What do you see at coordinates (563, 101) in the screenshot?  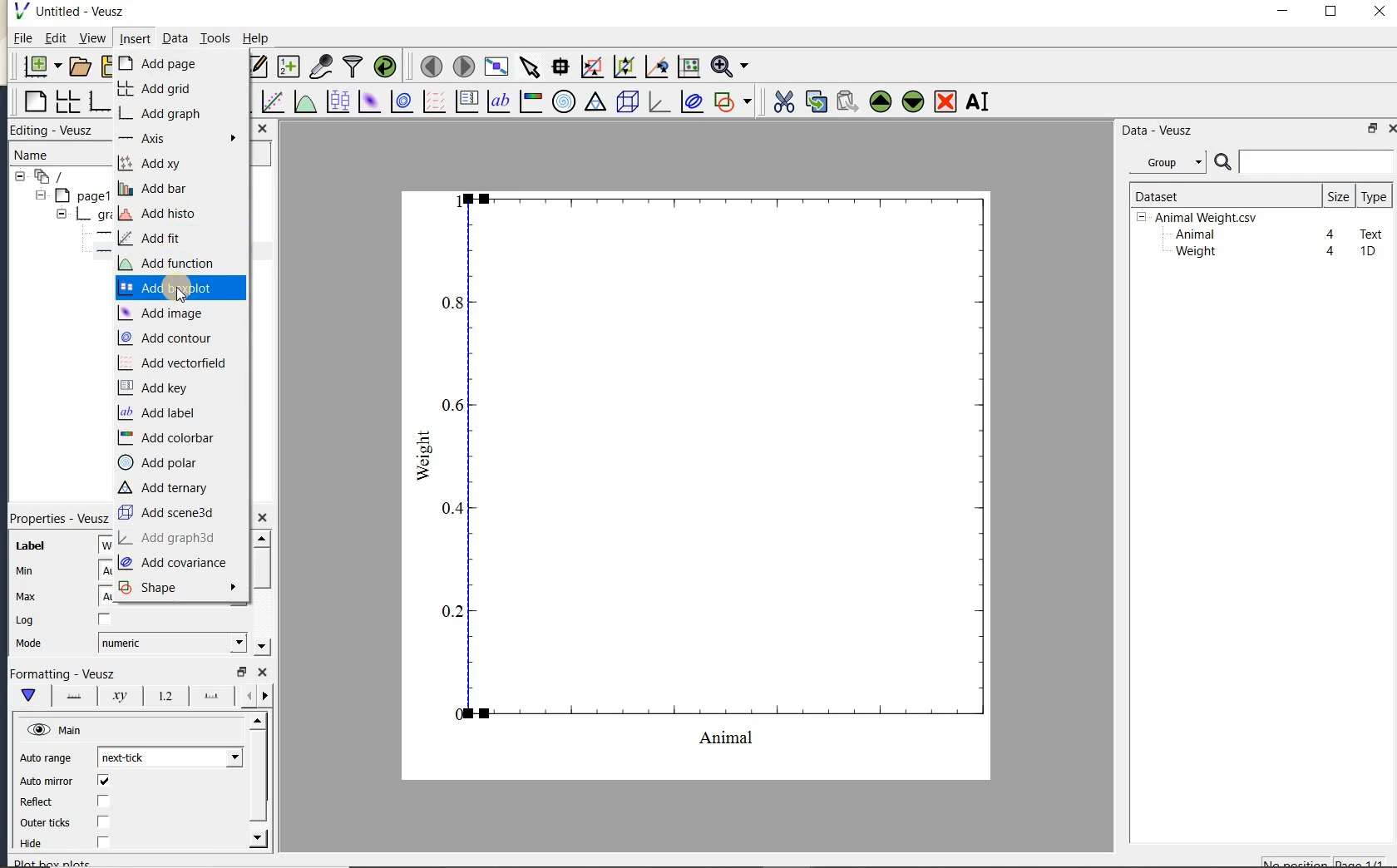 I see `polar graph` at bounding box center [563, 101].